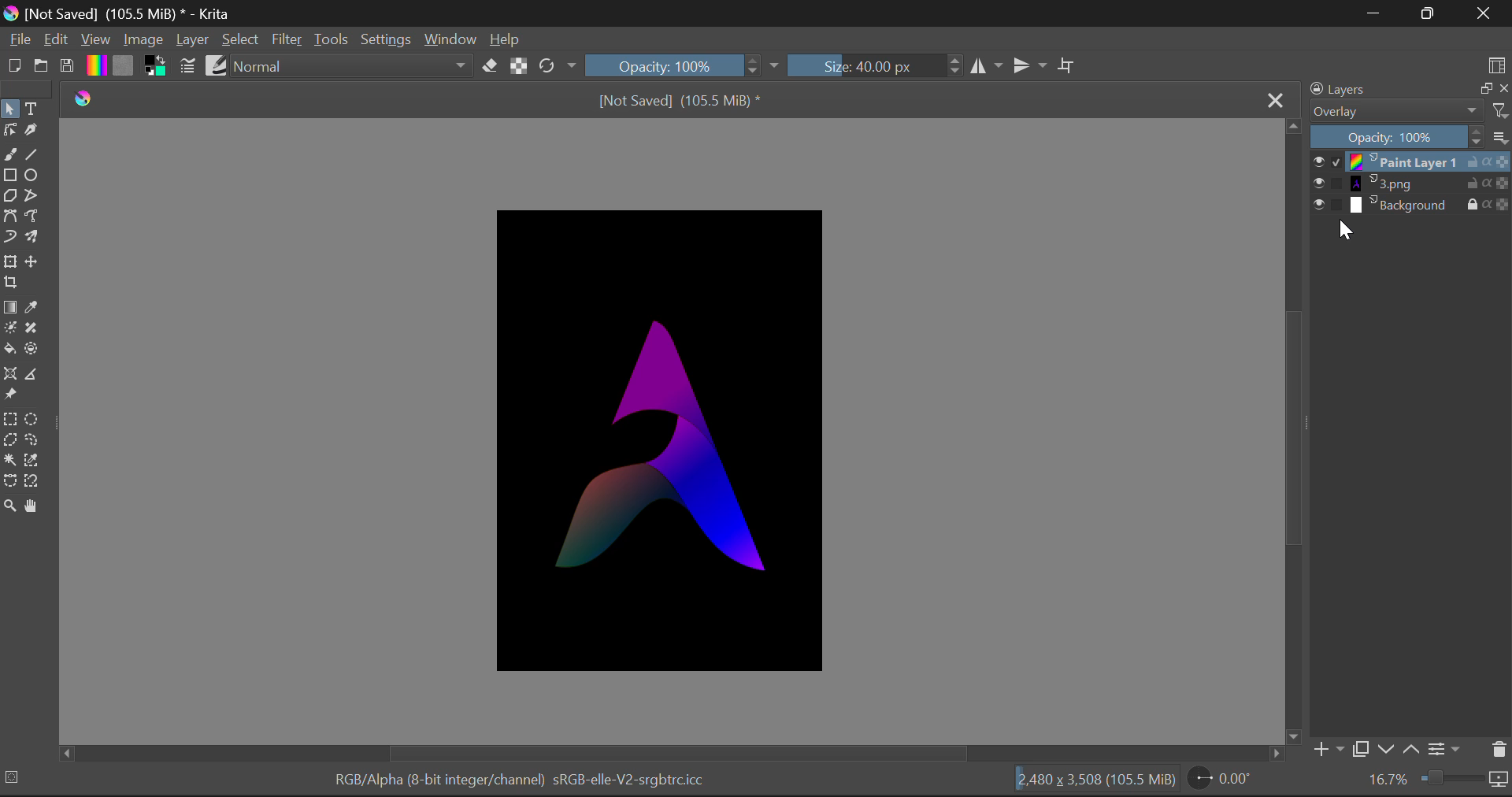  I want to click on Scroll Bar, so click(673, 752).